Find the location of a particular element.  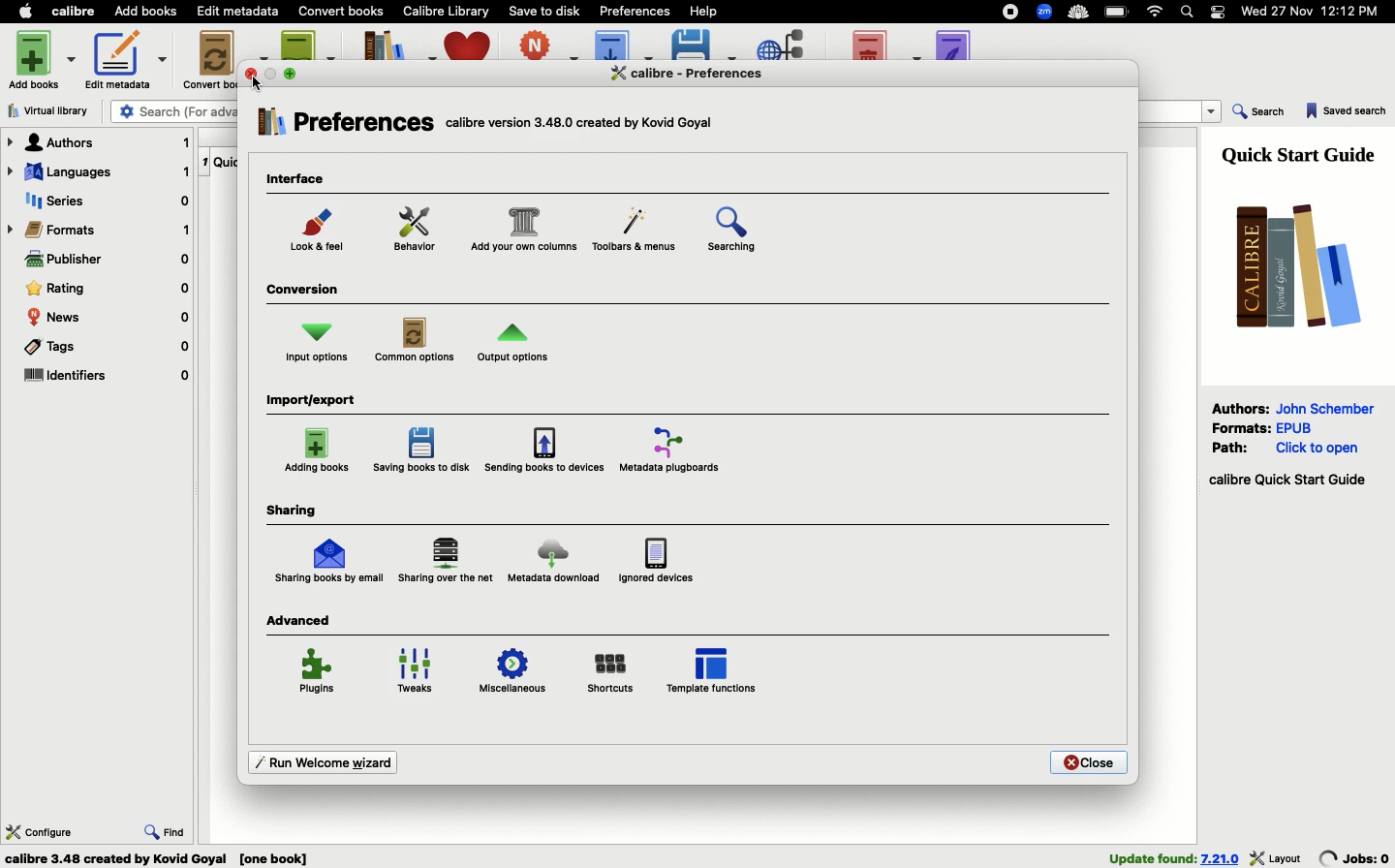

Sharing by email is located at coordinates (328, 562).